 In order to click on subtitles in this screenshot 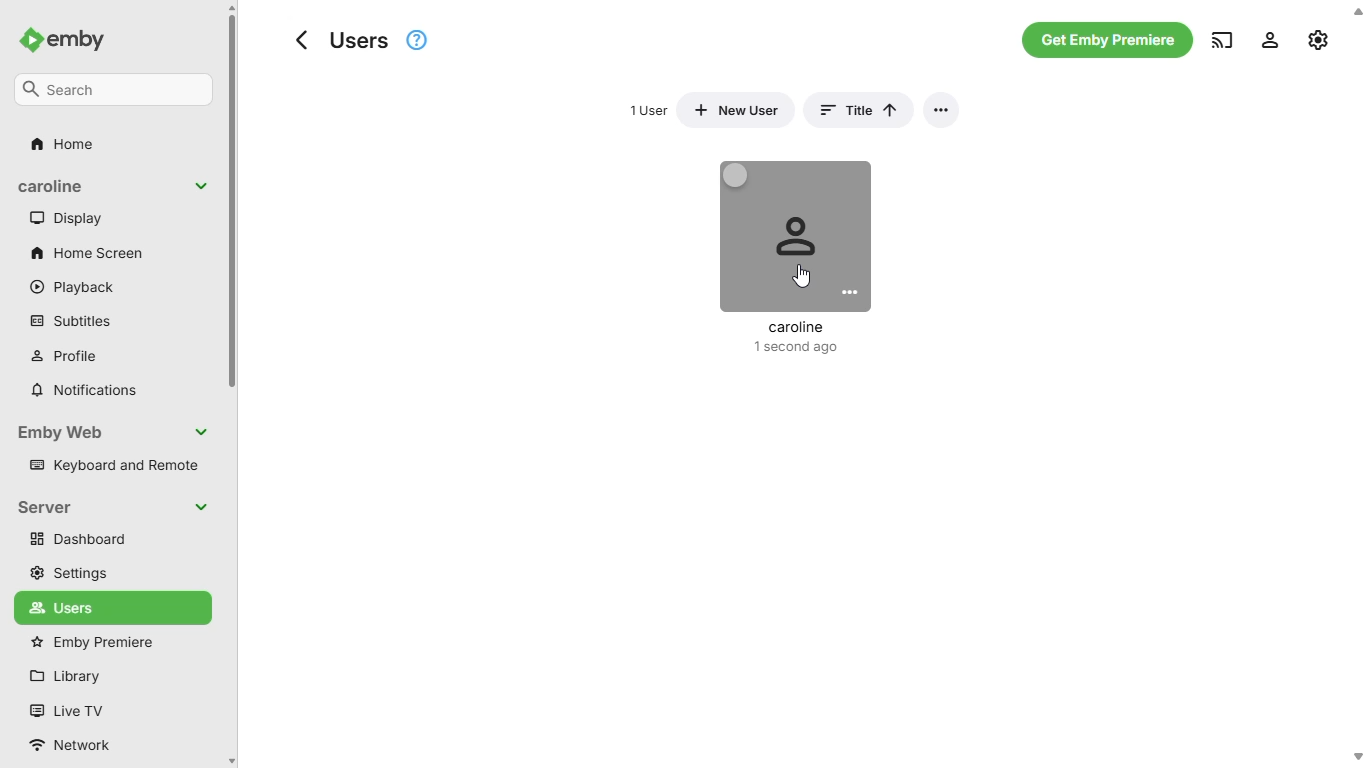, I will do `click(71, 321)`.